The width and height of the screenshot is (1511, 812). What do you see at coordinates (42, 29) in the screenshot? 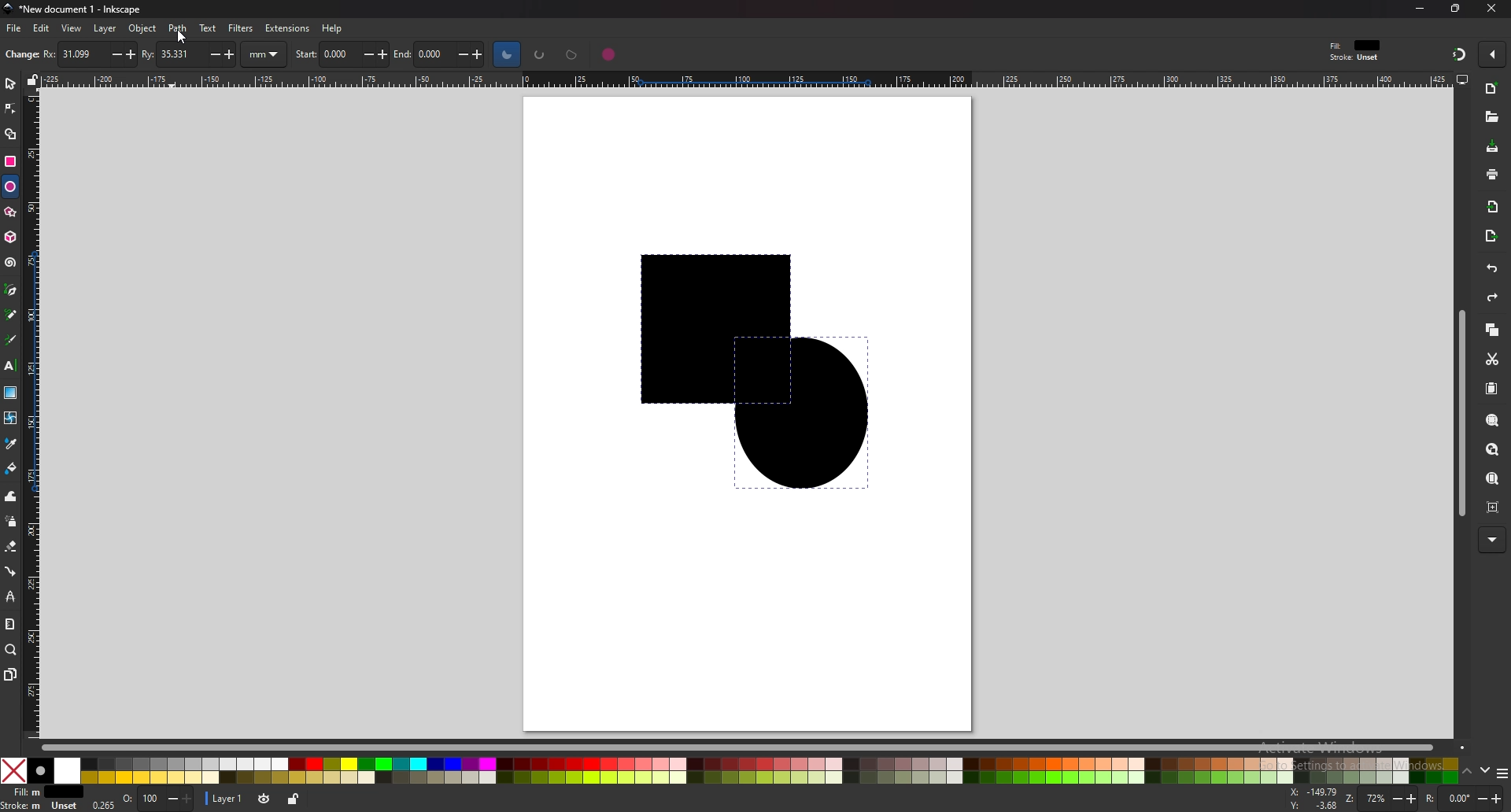
I see `edit` at bounding box center [42, 29].